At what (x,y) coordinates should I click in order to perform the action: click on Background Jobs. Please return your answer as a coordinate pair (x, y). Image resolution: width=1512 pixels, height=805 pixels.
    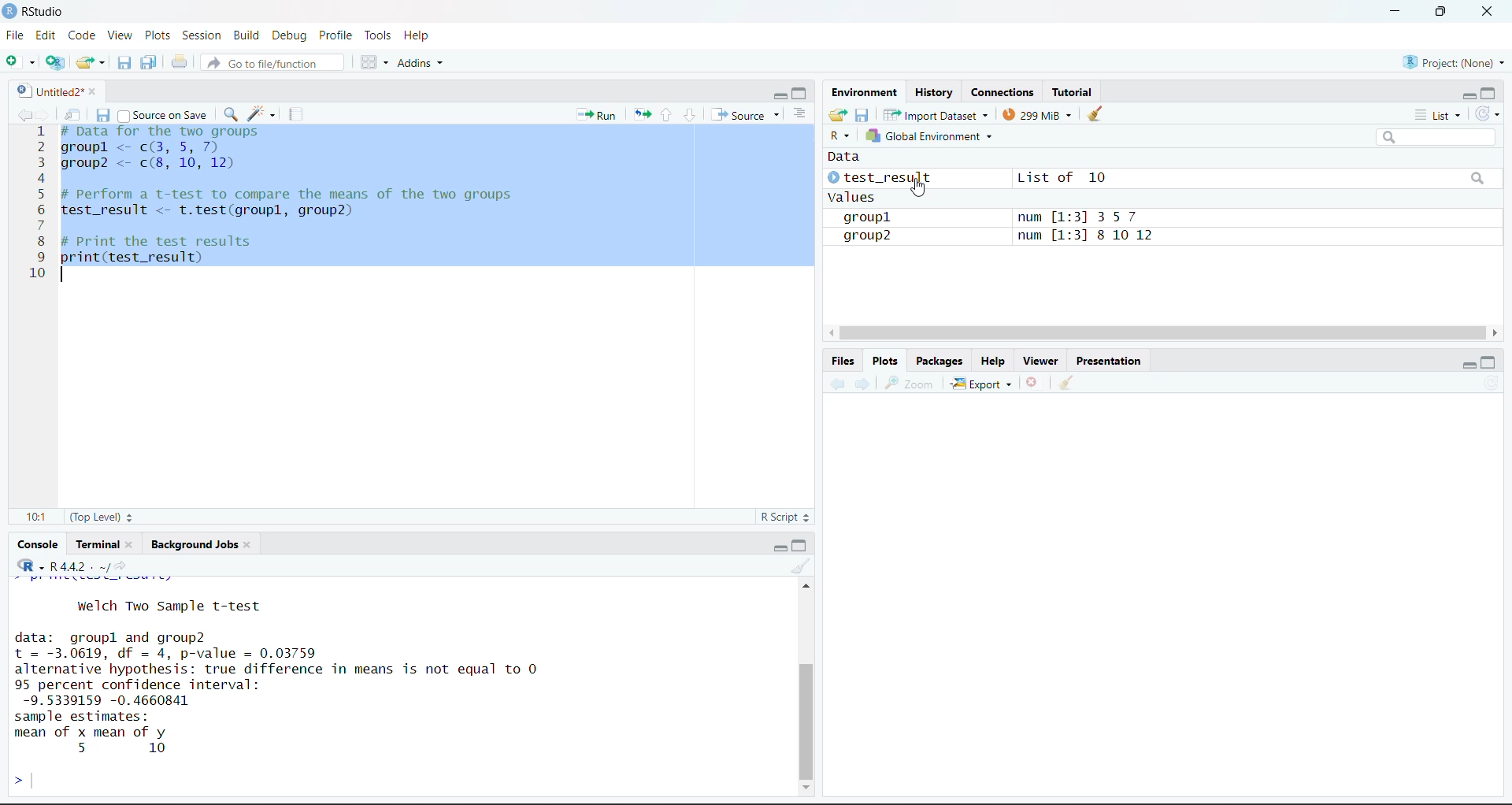
    Looking at the image, I should click on (195, 546).